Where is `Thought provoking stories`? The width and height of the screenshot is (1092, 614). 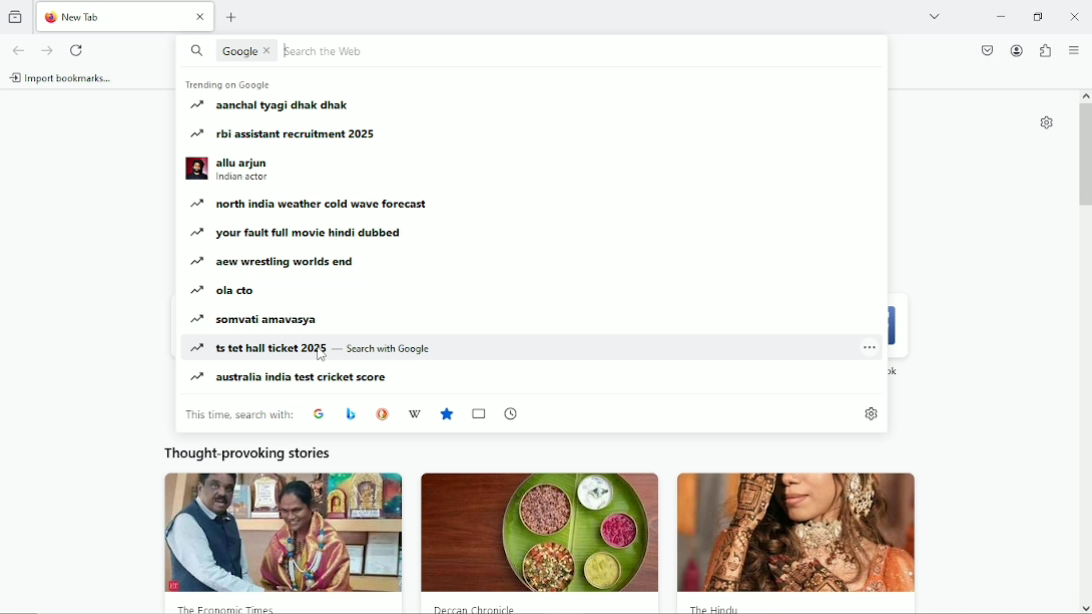 Thought provoking stories is located at coordinates (247, 453).